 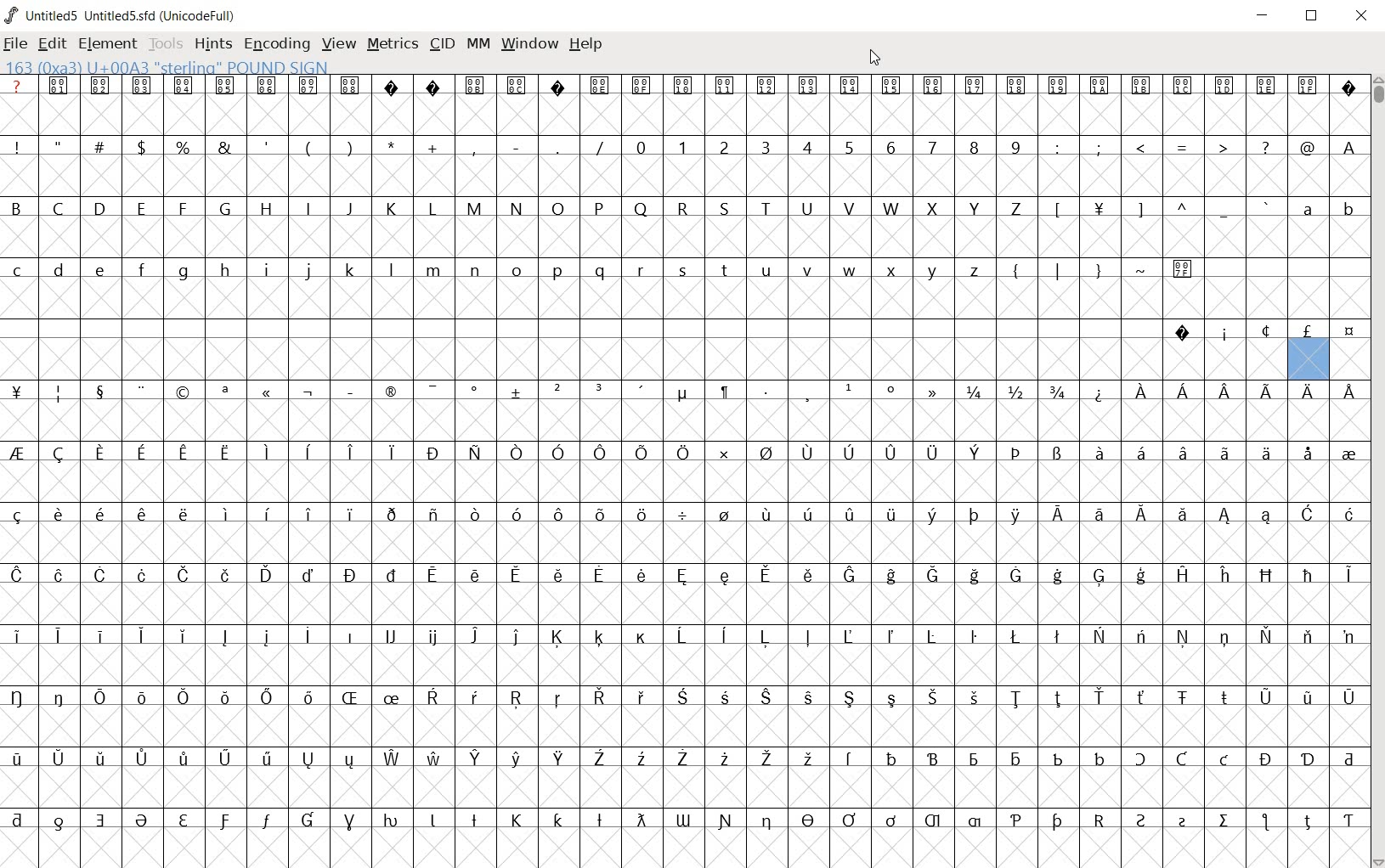 What do you see at coordinates (874, 59) in the screenshot?
I see `CURSOR` at bounding box center [874, 59].